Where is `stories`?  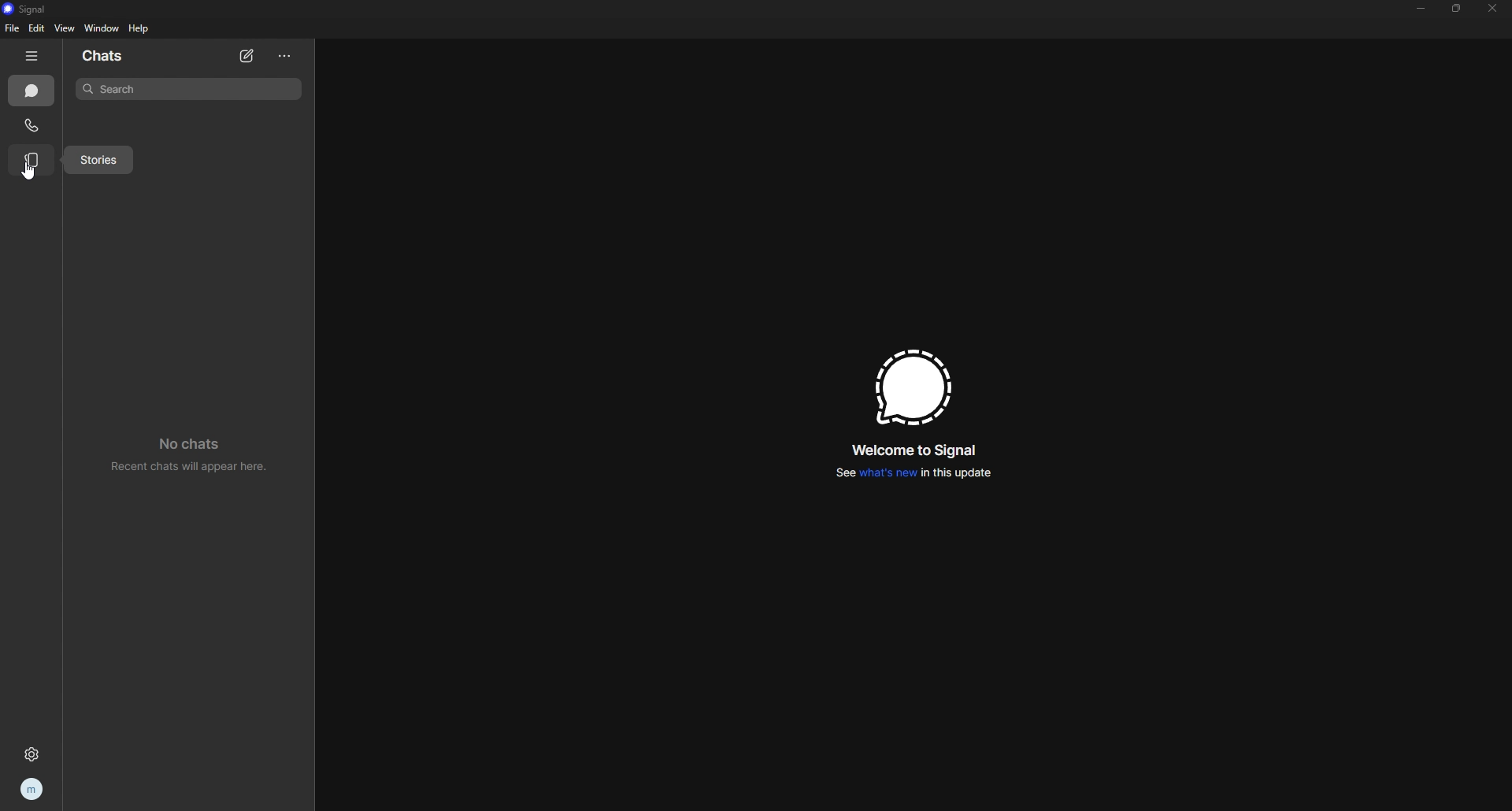
stories is located at coordinates (97, 159).